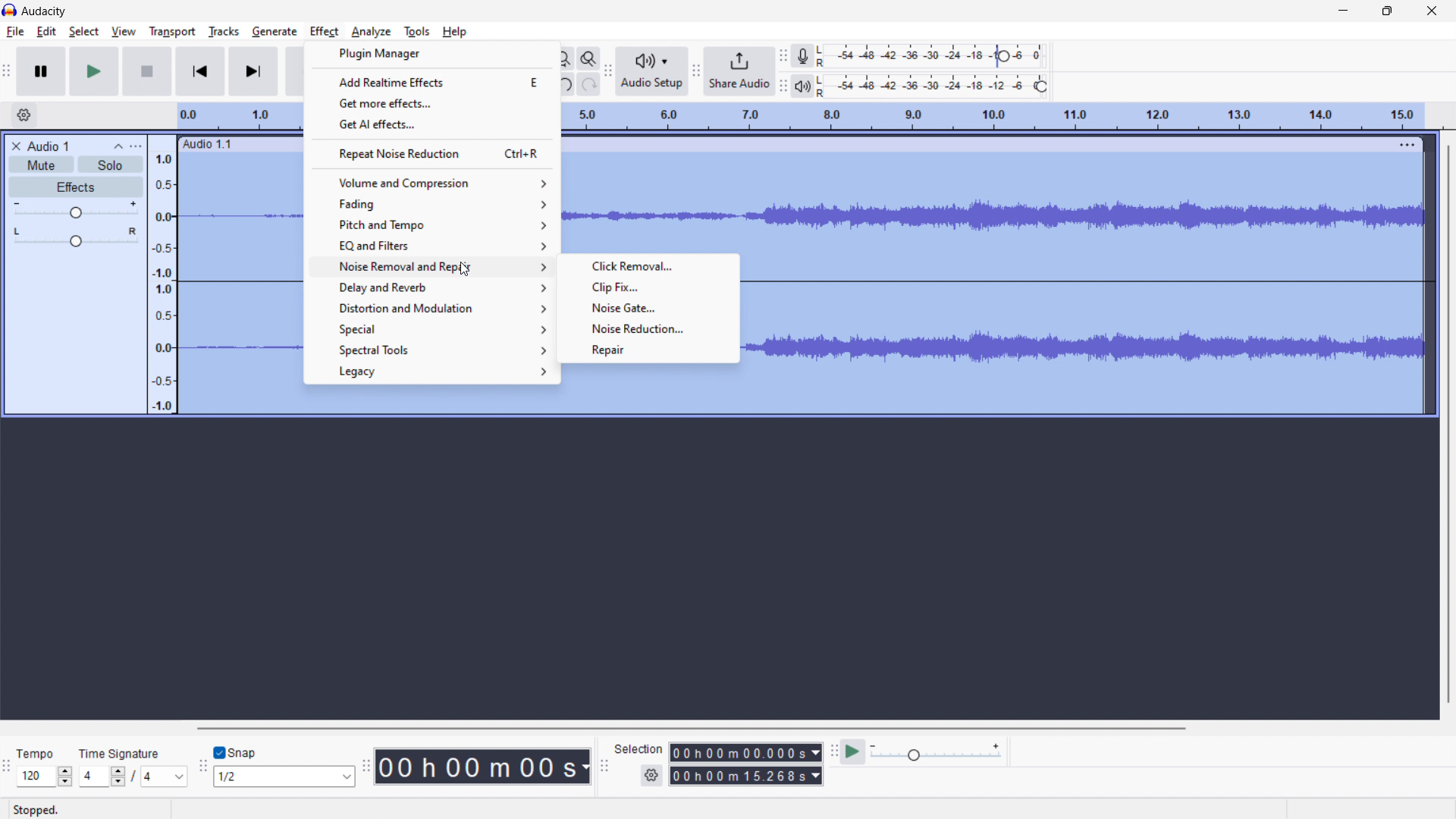 This screenshot has height=819, width=1456. What do you see at coordinates (648, 308) in the screenshot?
I see `noise gate` at bounding box center [648, 308].